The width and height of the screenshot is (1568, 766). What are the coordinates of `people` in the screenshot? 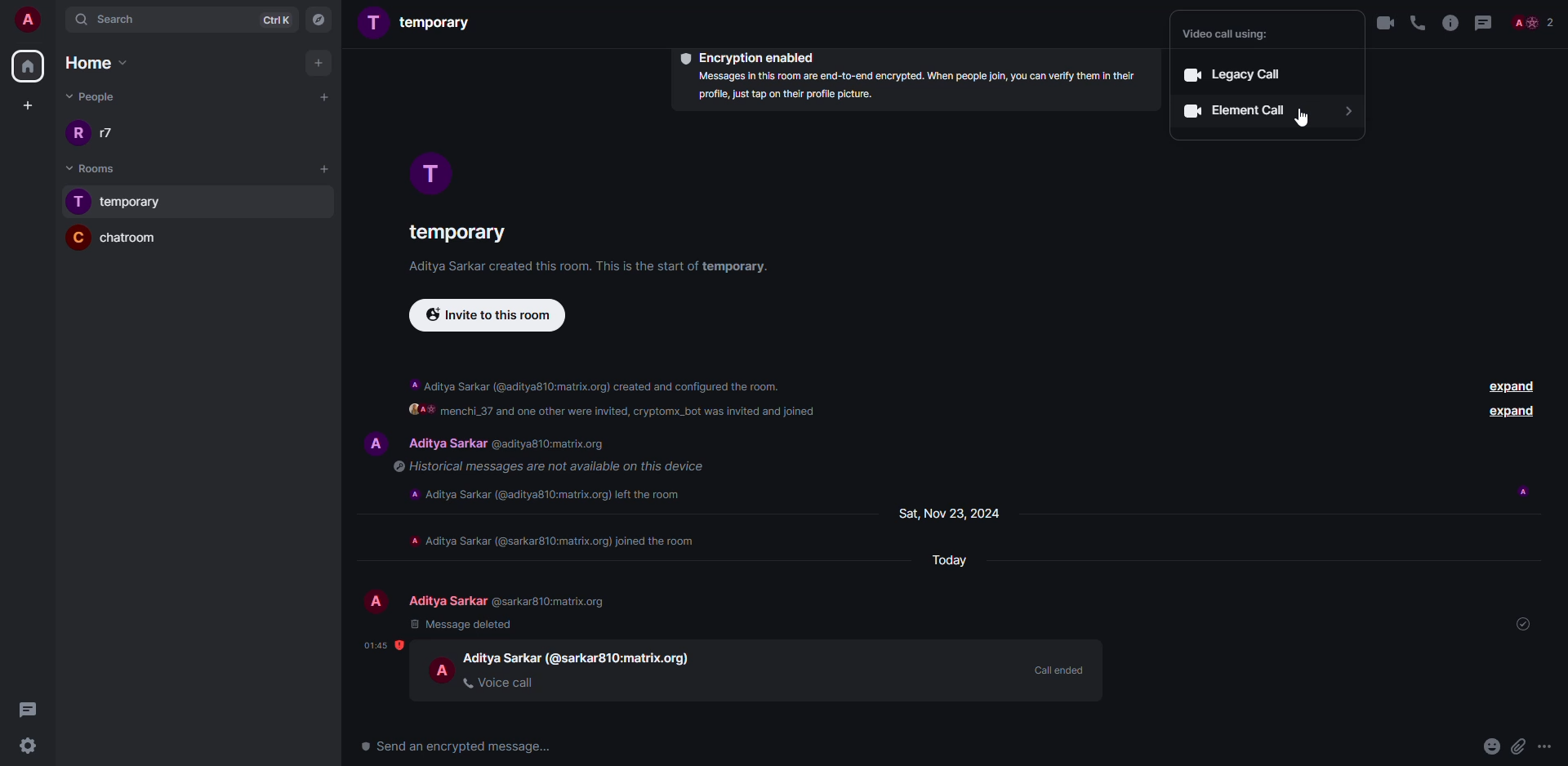 It's located at (95, 95).